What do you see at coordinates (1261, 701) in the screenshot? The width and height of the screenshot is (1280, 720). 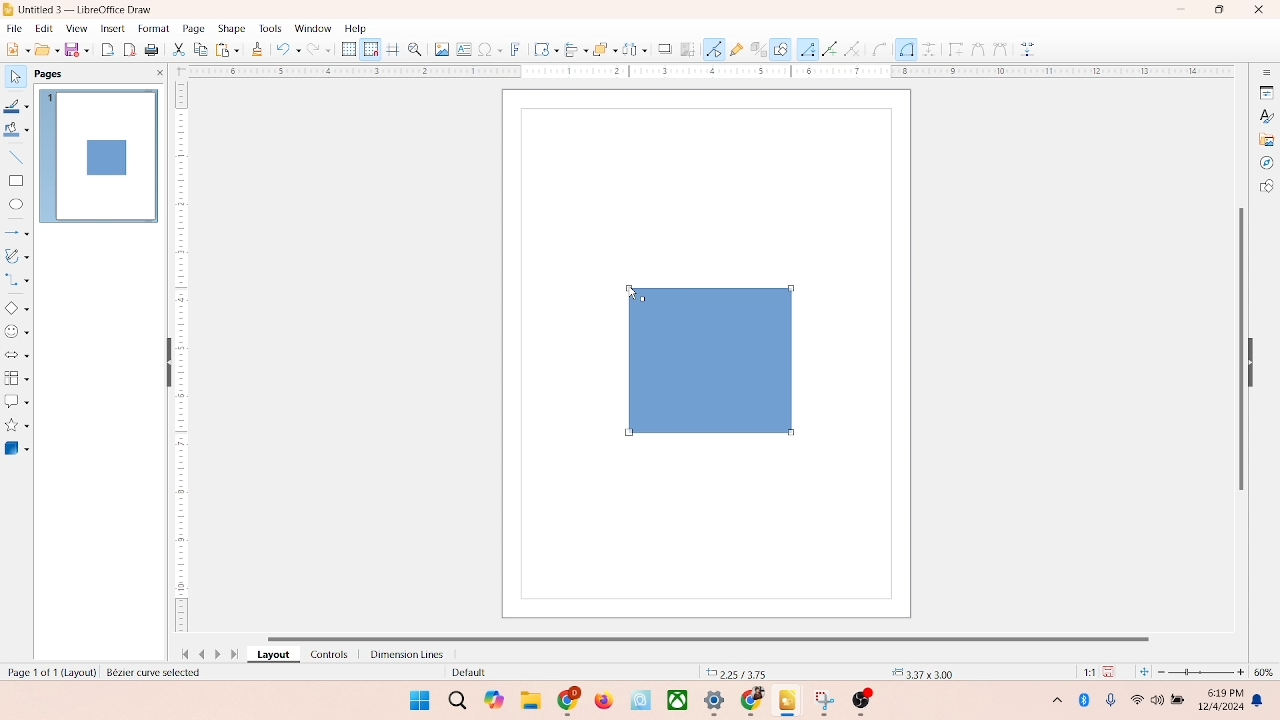 I see `notification` at bounding box center [1261, 701].